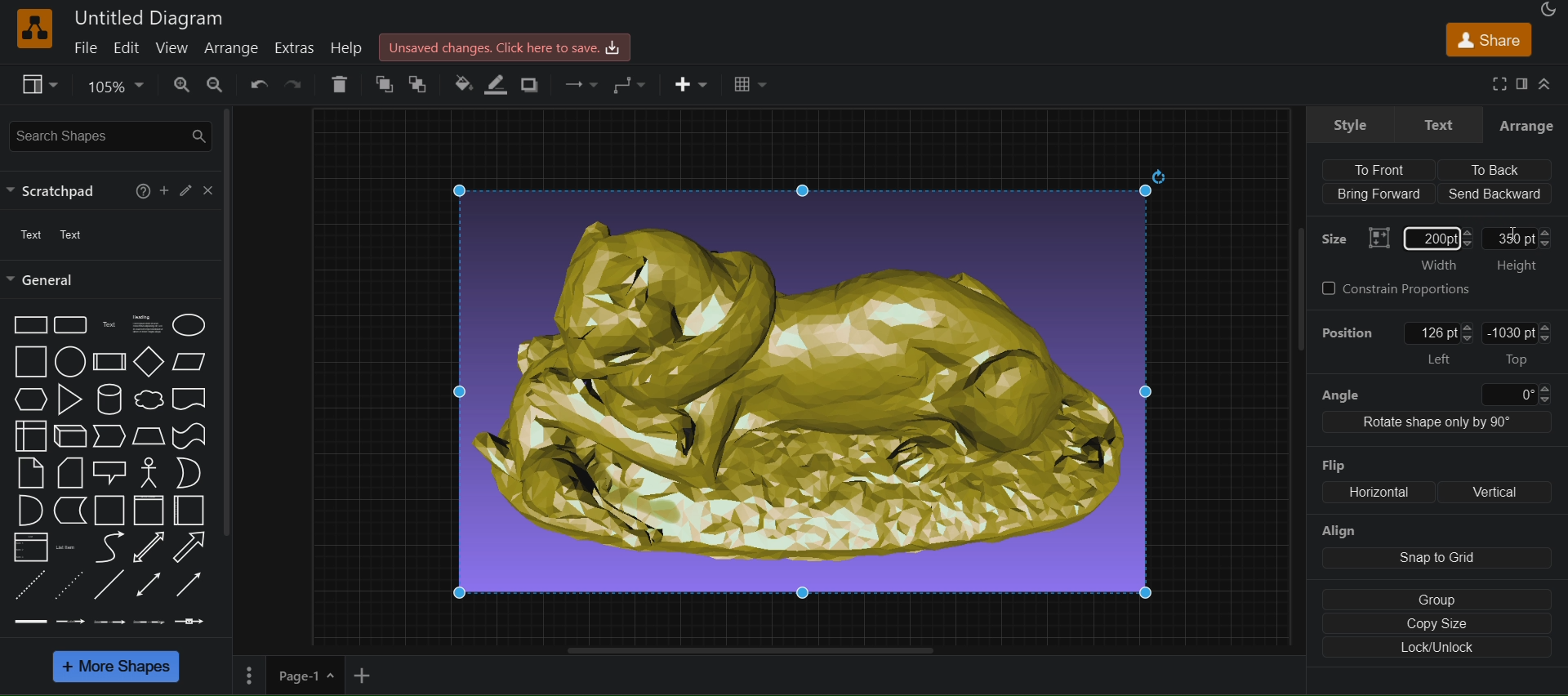 The height and width of the screenshot is (696, 1568). What do you see at coordinates (536, 84) in the screenshot?
I see `shadow` at bounding box center [536, 84].